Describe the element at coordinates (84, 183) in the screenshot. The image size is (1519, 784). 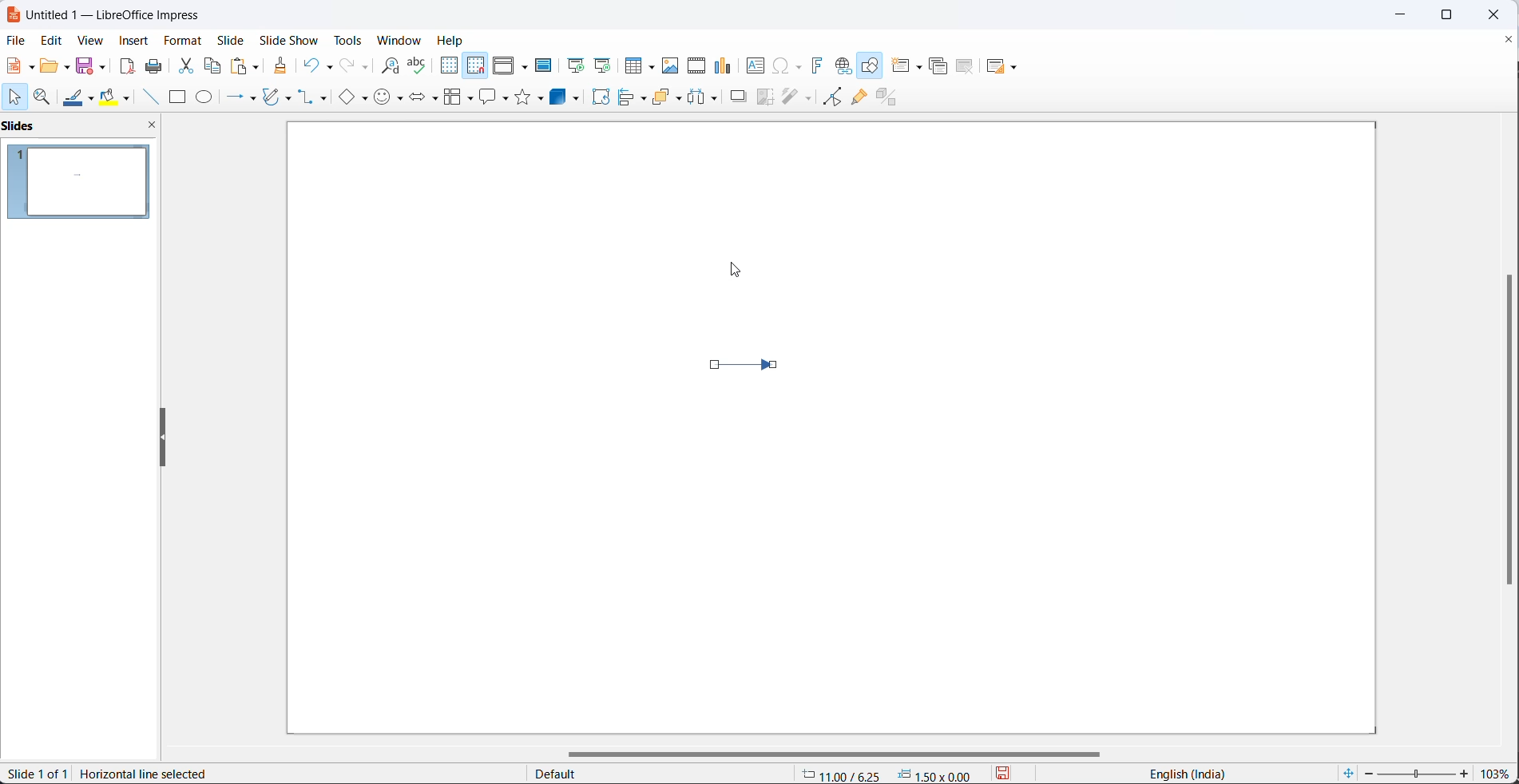
I see `slide preview` at that location.